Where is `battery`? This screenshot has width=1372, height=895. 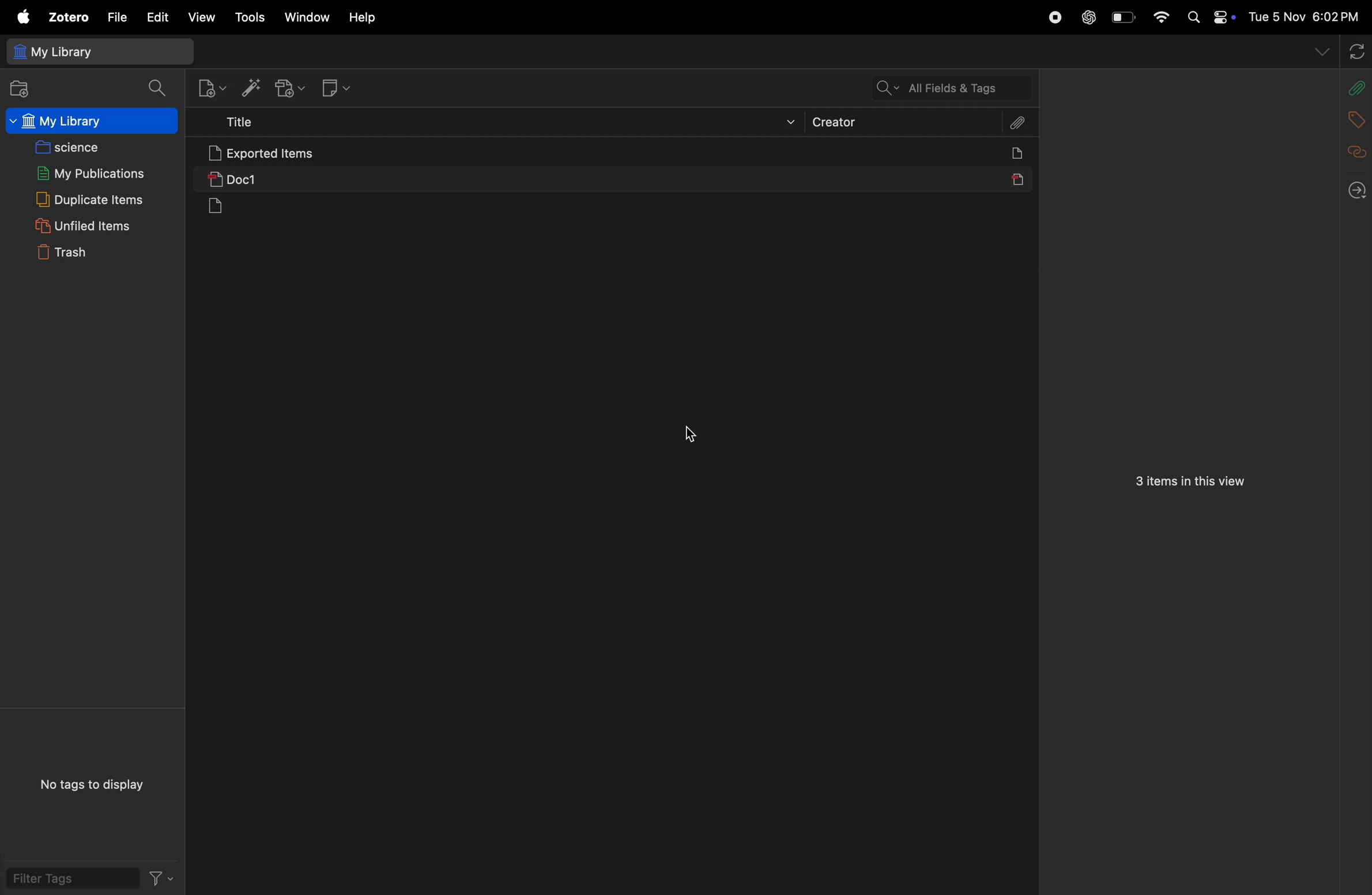
battery is located at coordinates (1125, 17).